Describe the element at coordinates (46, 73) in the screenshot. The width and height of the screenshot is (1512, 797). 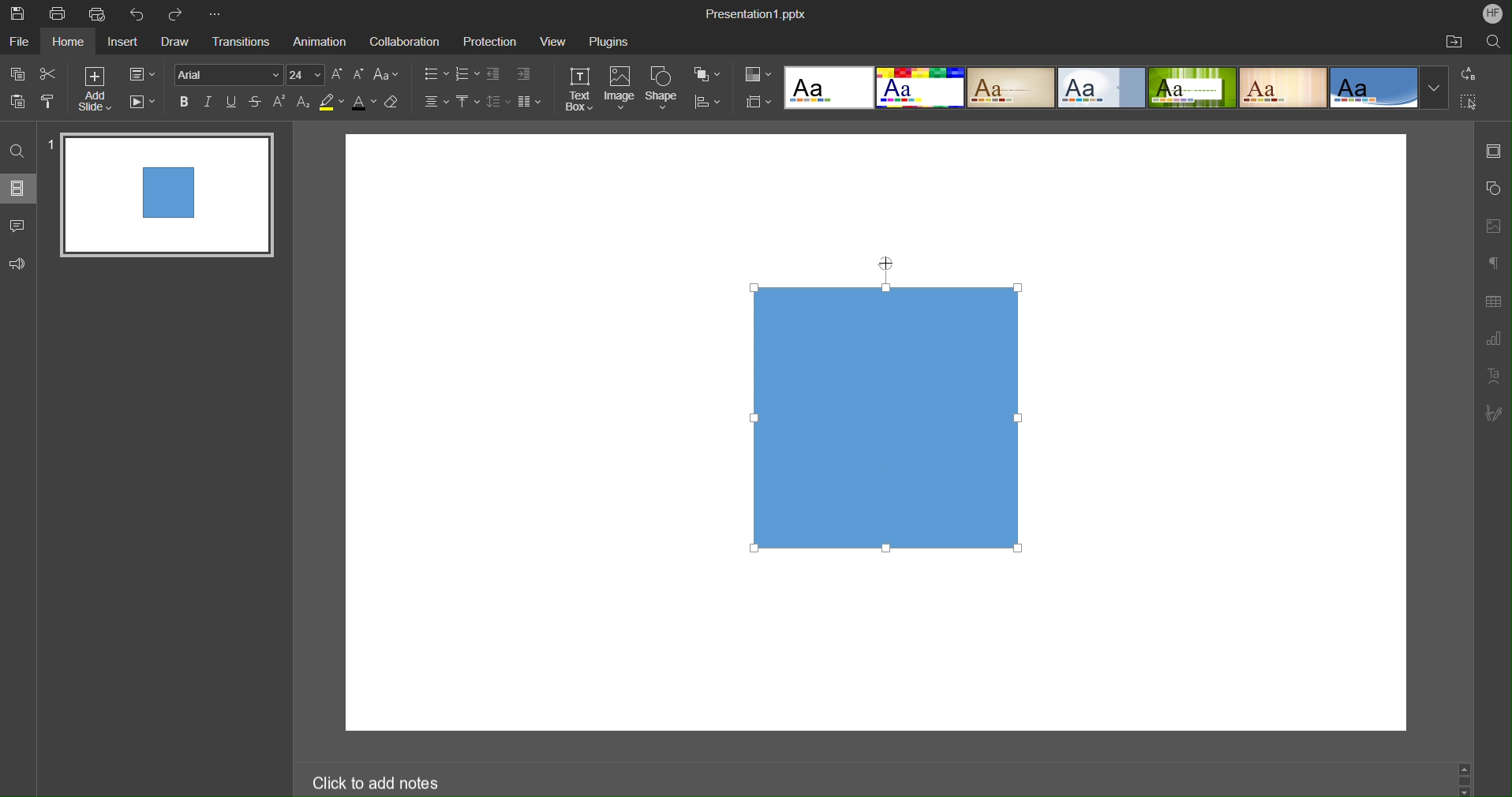
I see `Cut` at that location.